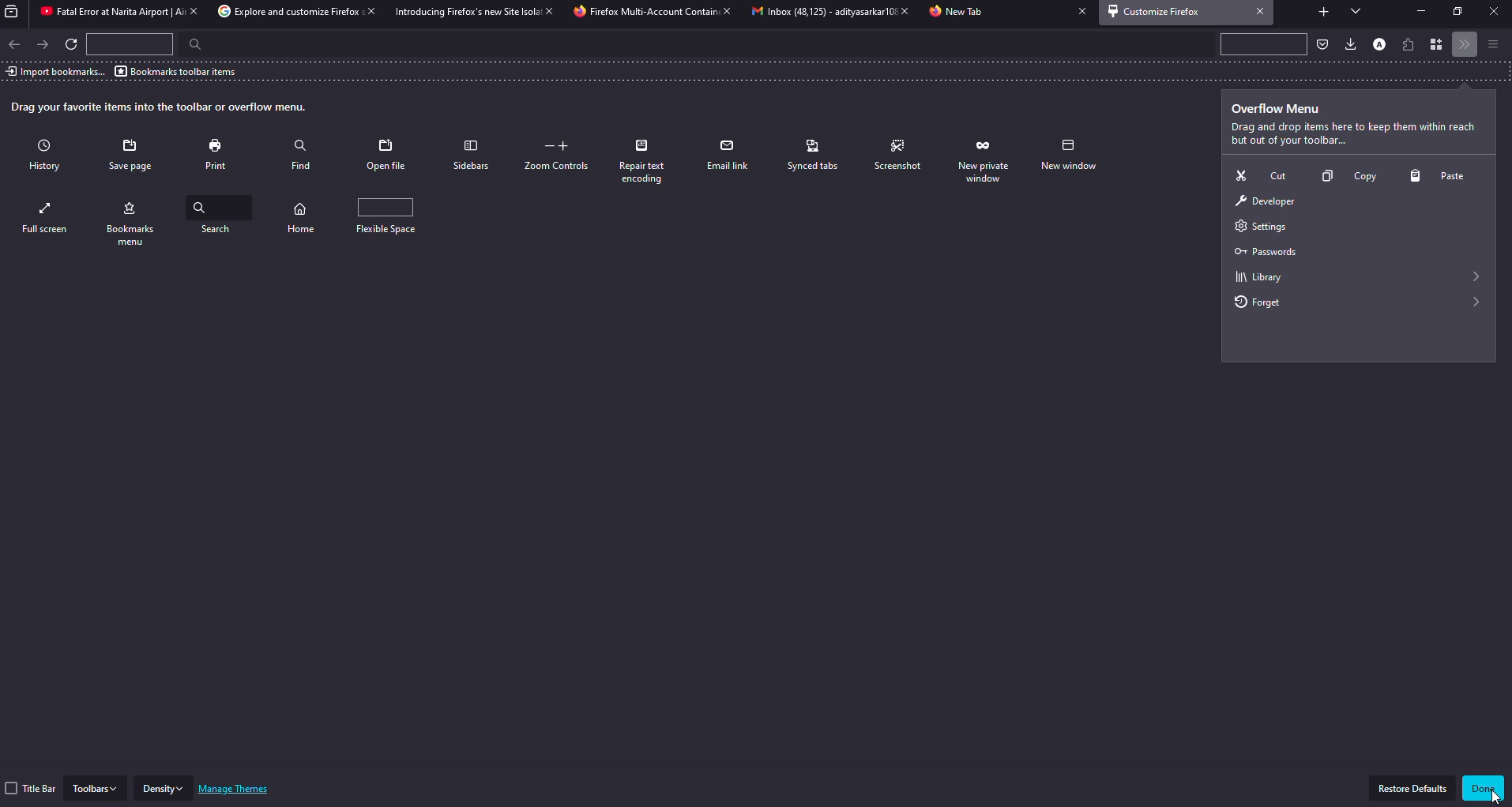  What do you see at coordinates (32, 788) in the screenshot?
I see `title bar` at bounding box center [32, 788].